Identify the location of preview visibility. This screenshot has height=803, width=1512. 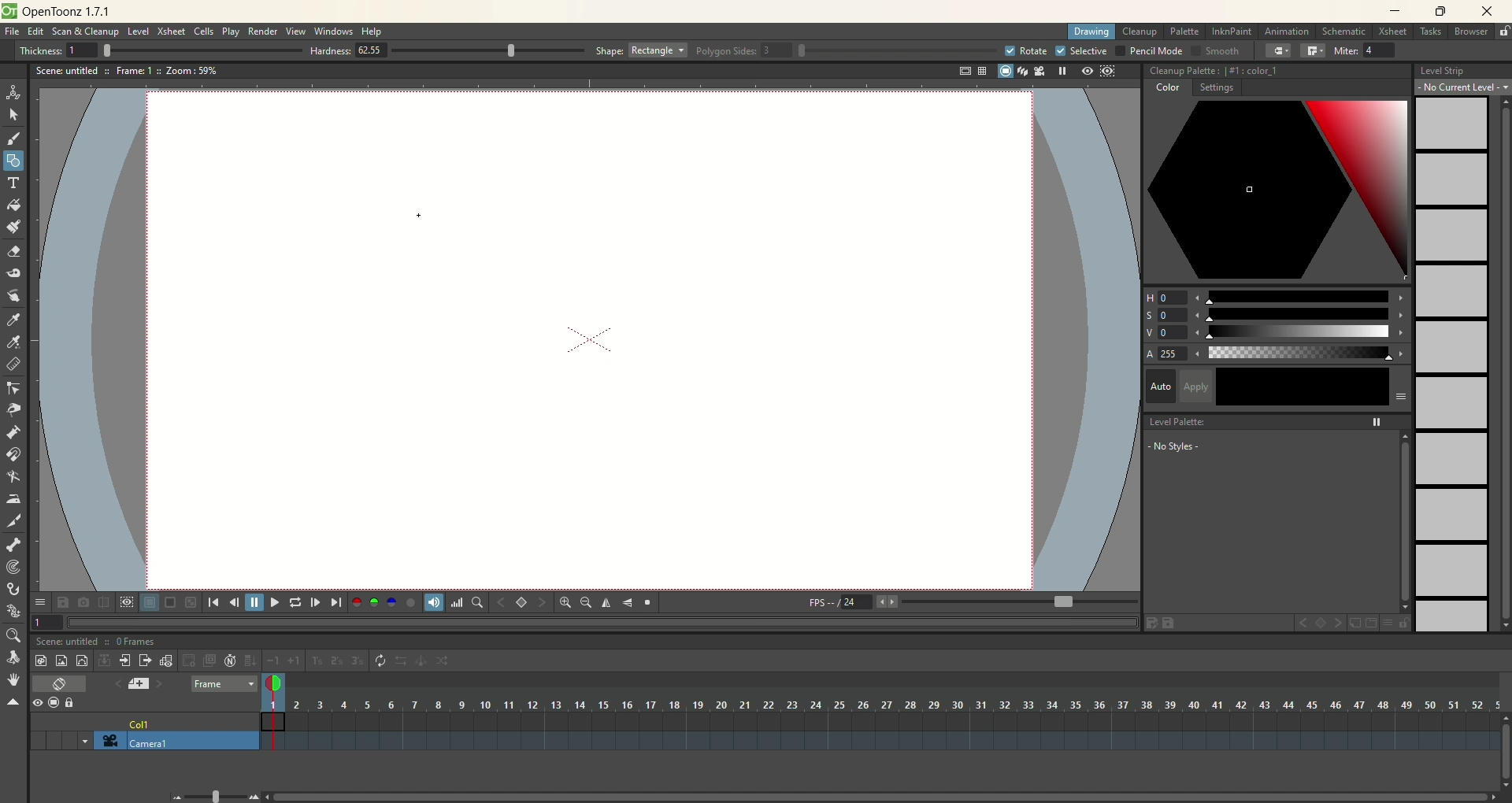
(37, 704).